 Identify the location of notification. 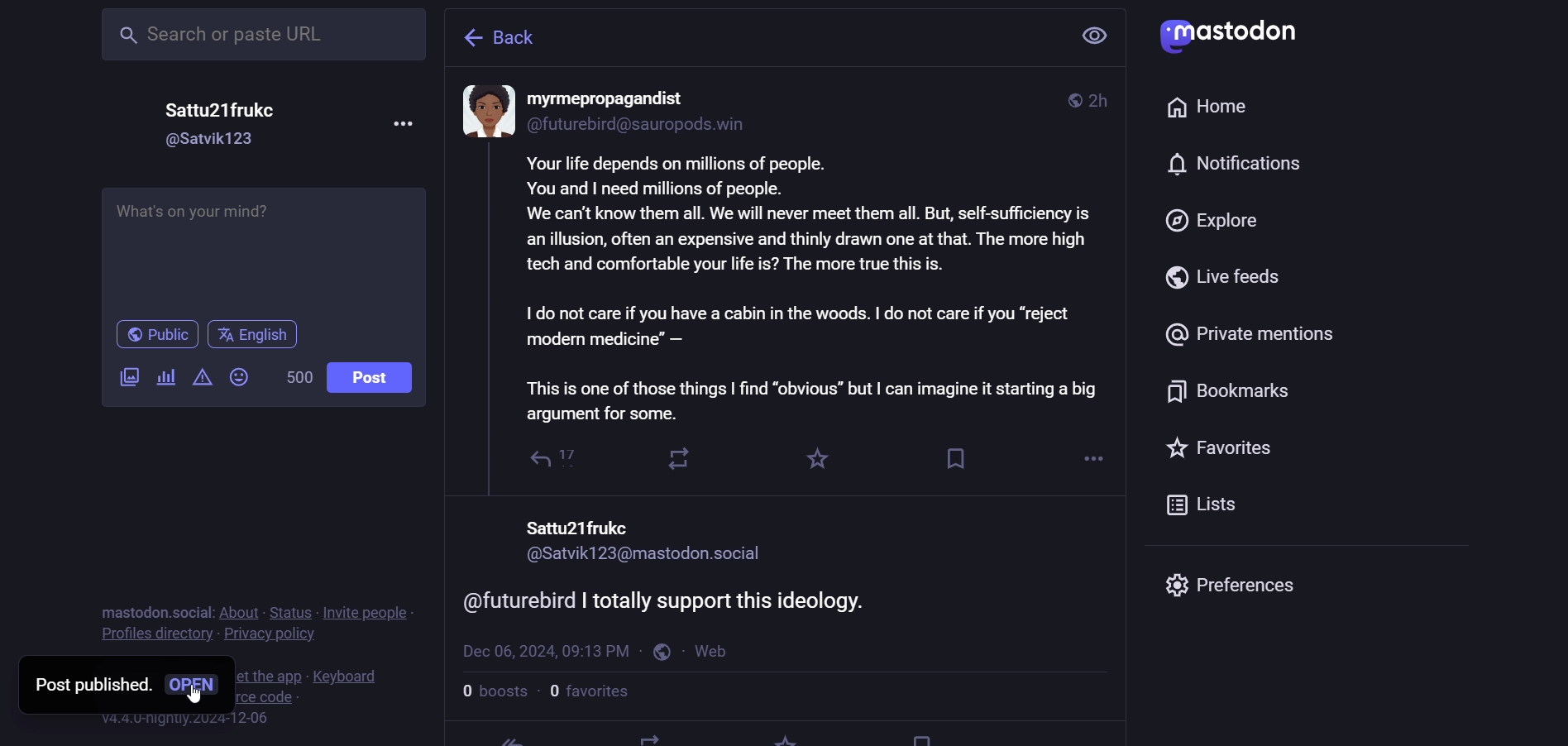
(1237, 165).